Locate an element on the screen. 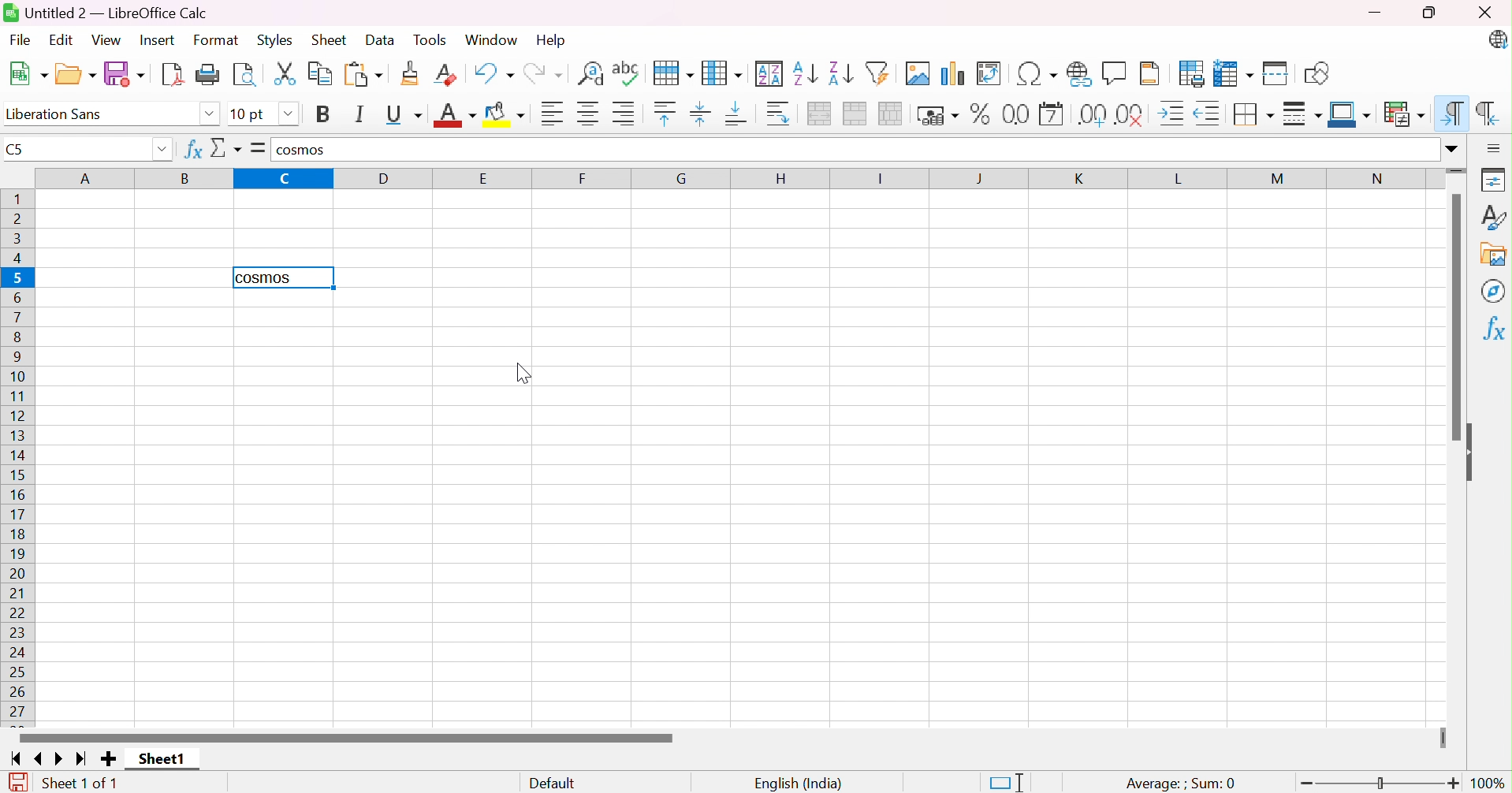  Format as Percent is located at coordinates (981, 113).